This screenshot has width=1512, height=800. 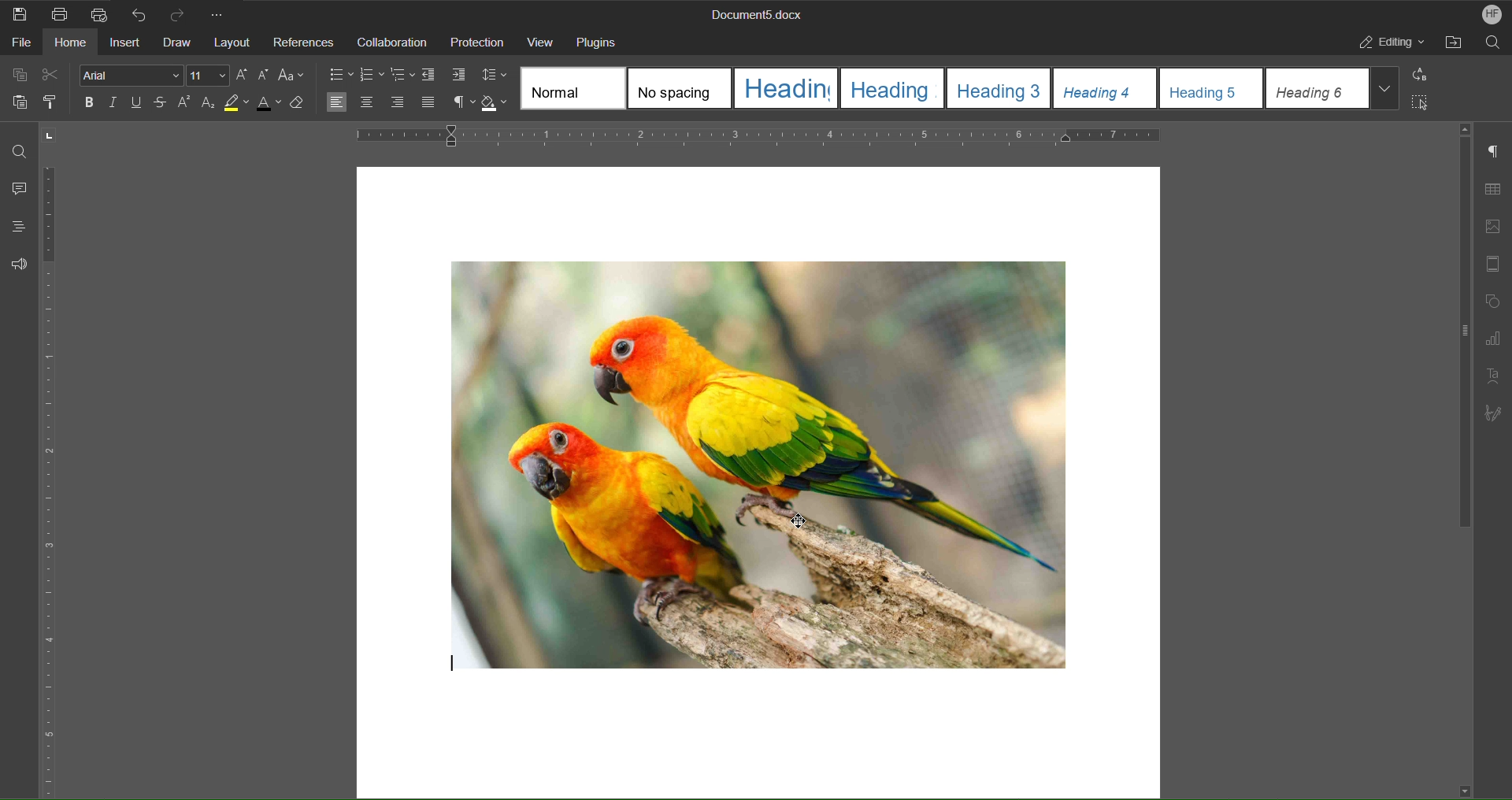 What do you see at coordinates (497, 76) in the screenshot?
I see `Line Spacing` at bounding box center [497, 76].